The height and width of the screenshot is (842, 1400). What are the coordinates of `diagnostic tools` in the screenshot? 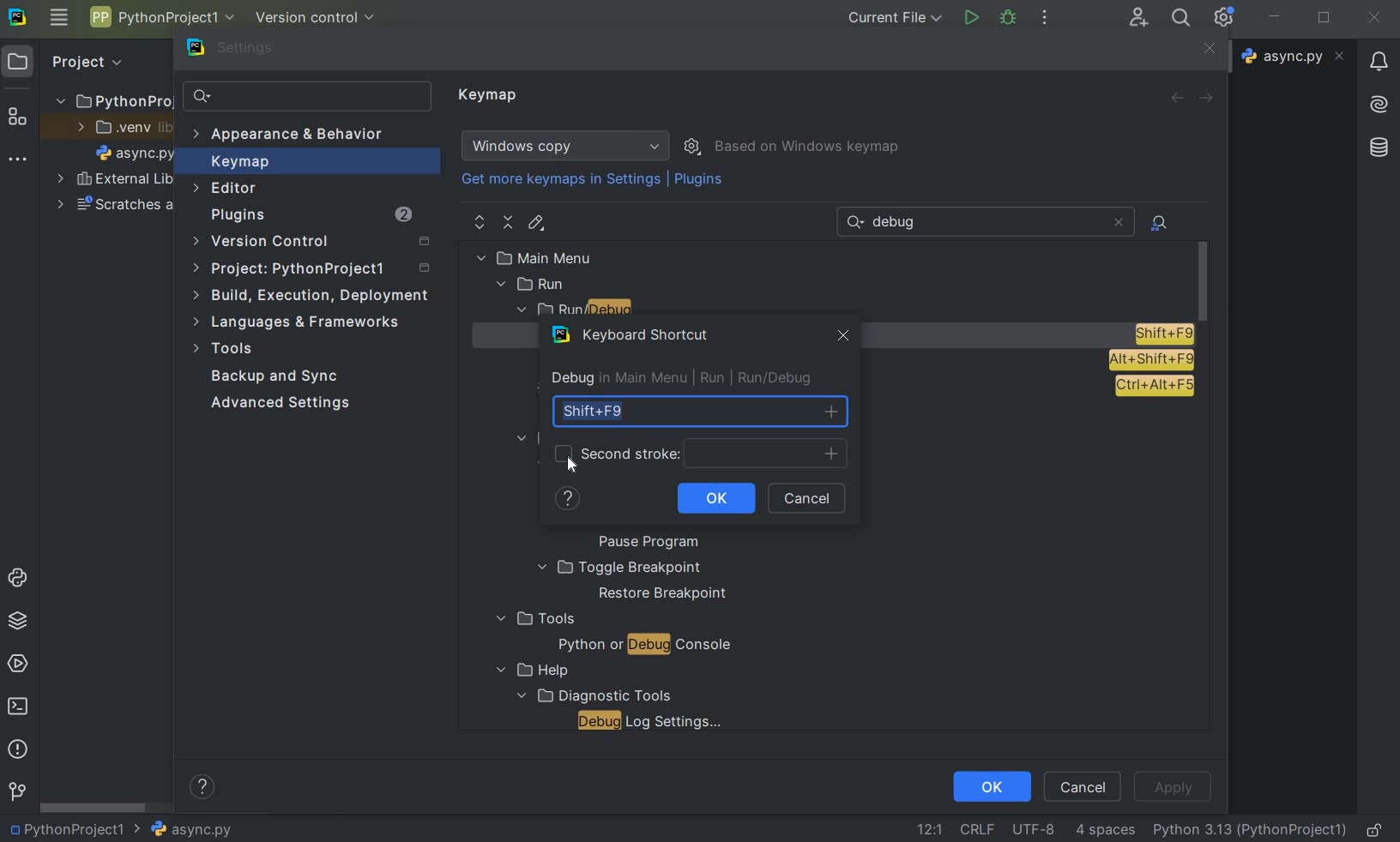 It's located at (592, 695).